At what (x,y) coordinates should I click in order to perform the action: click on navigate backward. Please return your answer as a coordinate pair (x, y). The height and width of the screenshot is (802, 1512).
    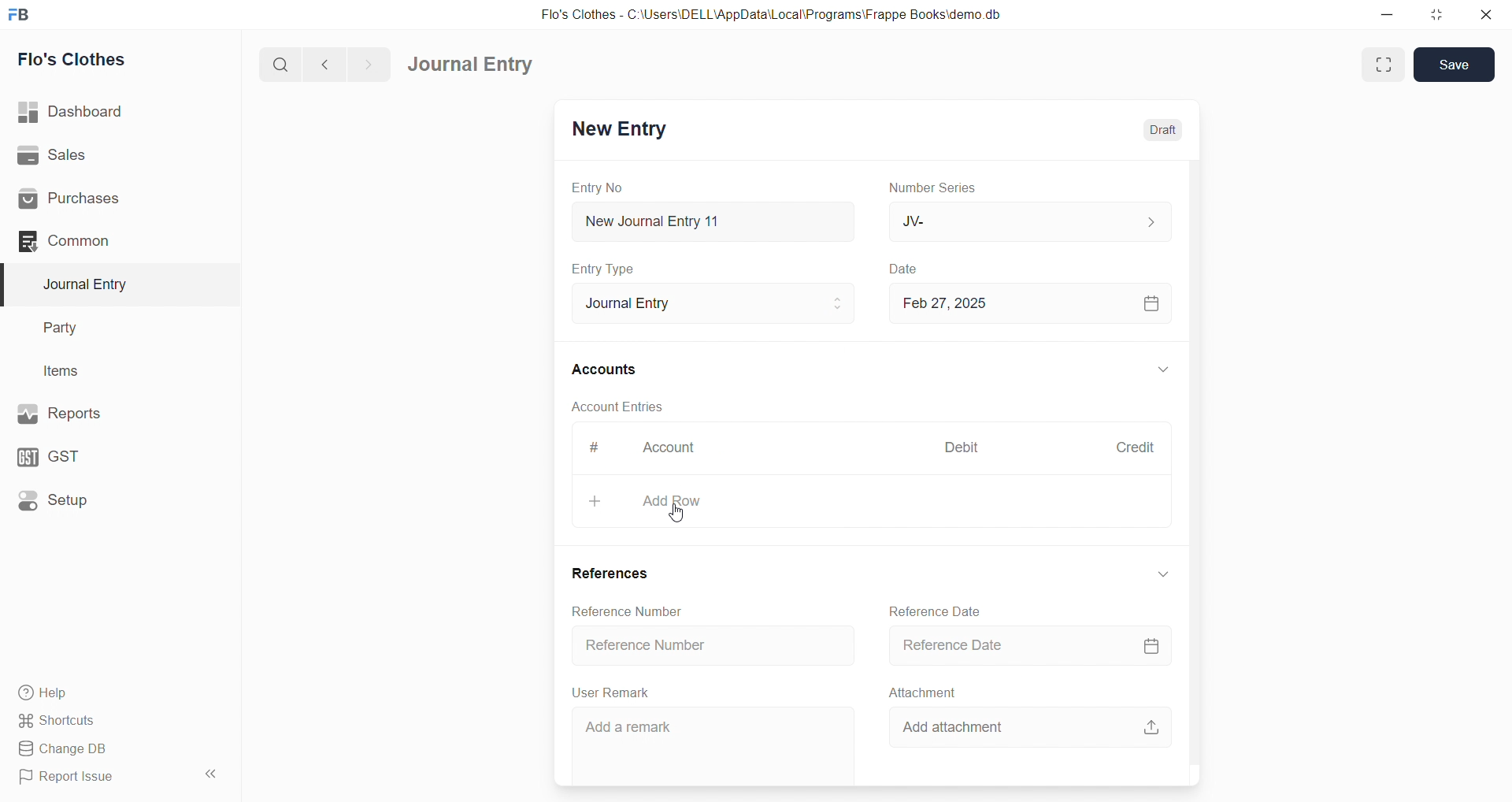
    Looking at the image, I should click on (327, 65).